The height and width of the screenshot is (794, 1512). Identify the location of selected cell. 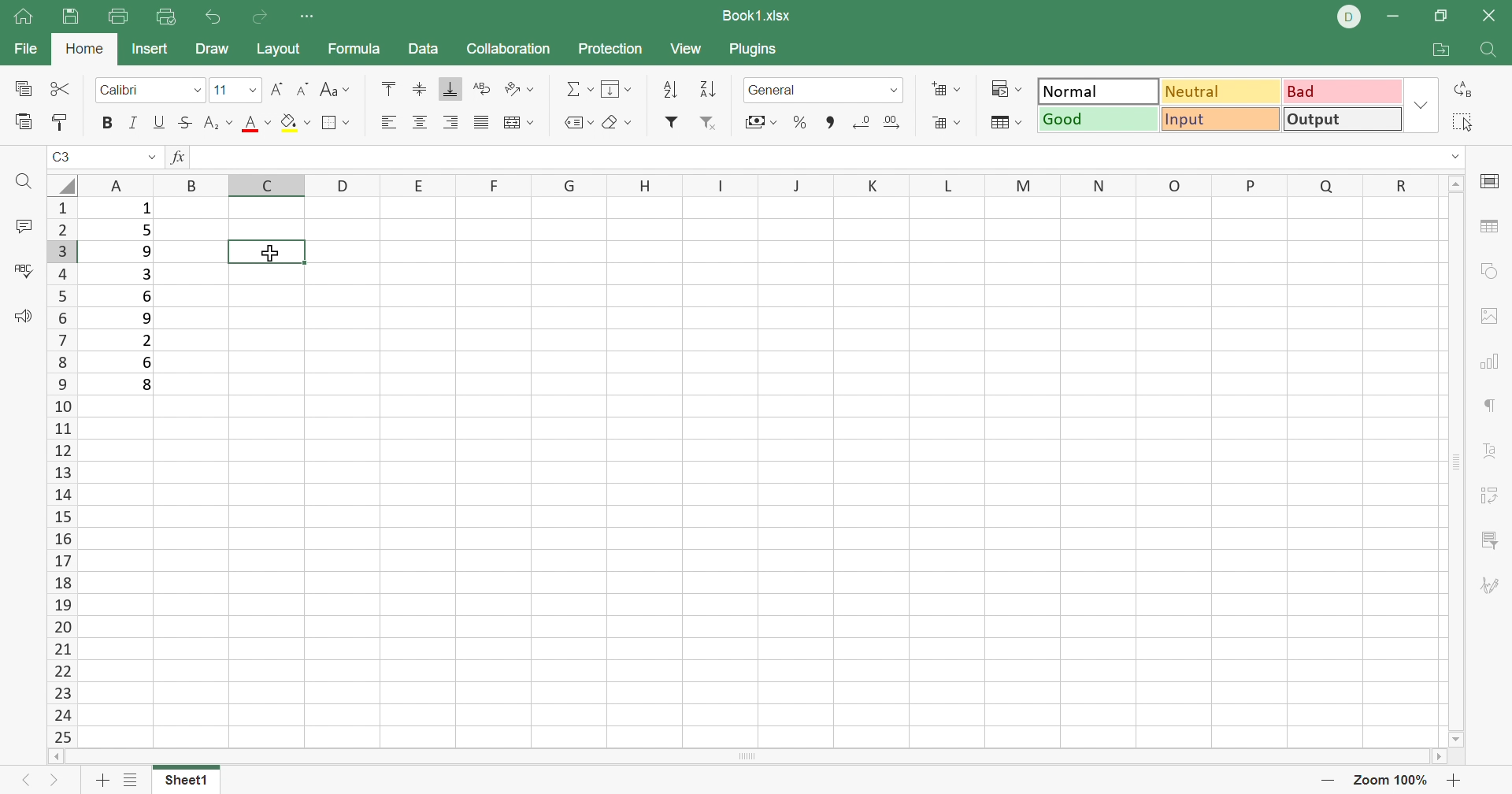
(268, 251).